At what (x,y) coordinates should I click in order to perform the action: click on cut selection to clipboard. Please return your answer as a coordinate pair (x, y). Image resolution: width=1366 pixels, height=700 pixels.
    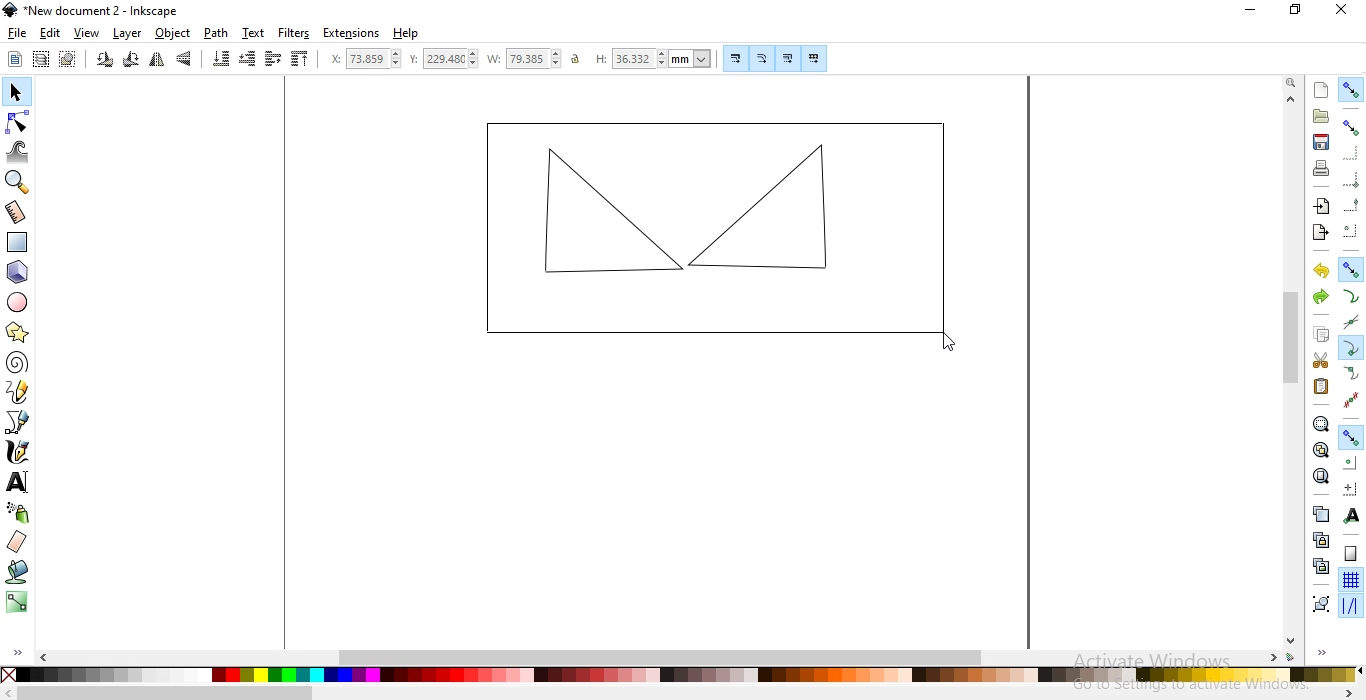
    Looking at the image, I should click on (1319, 359).